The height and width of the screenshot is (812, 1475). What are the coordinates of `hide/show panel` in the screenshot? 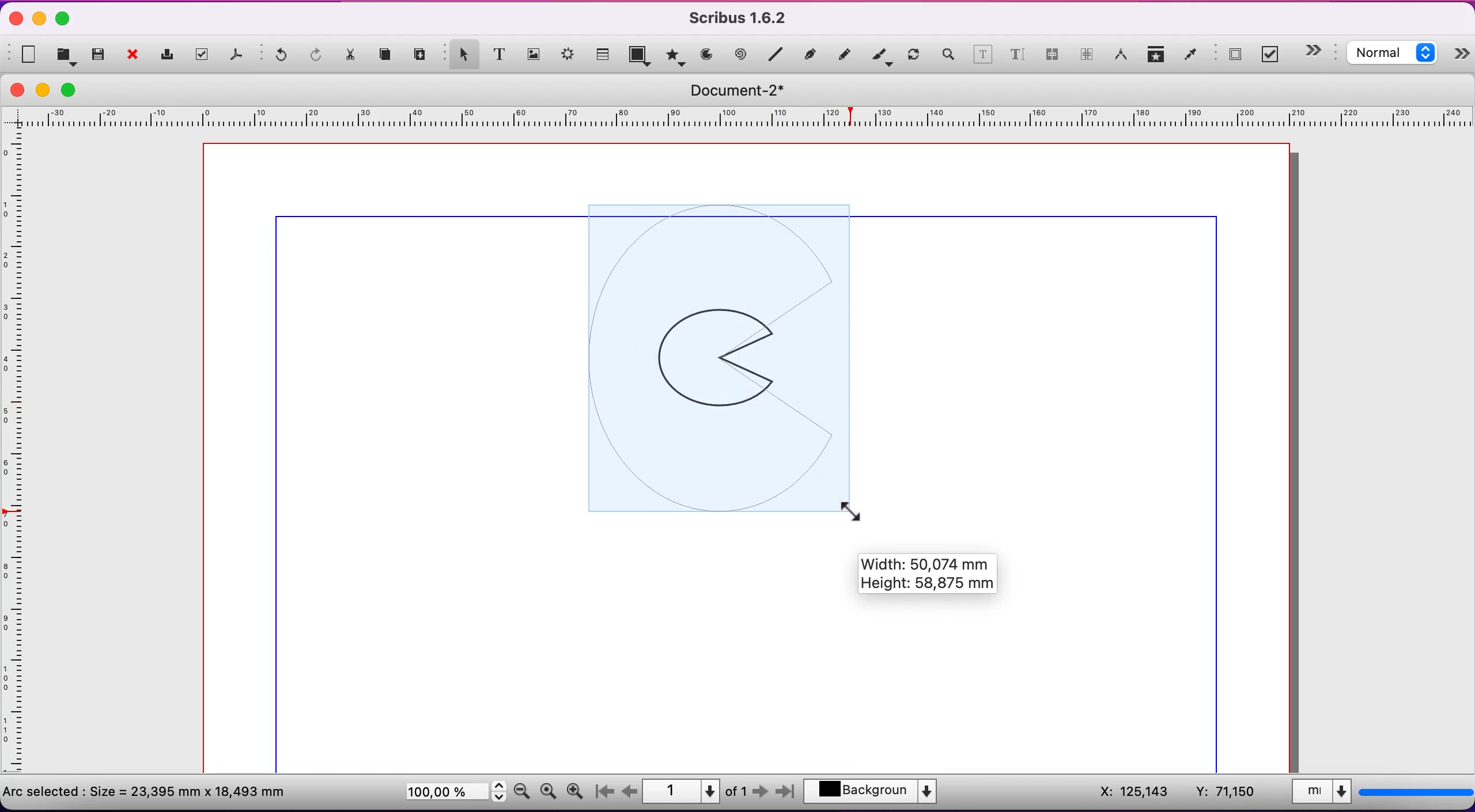 It's located at (1319, 51).